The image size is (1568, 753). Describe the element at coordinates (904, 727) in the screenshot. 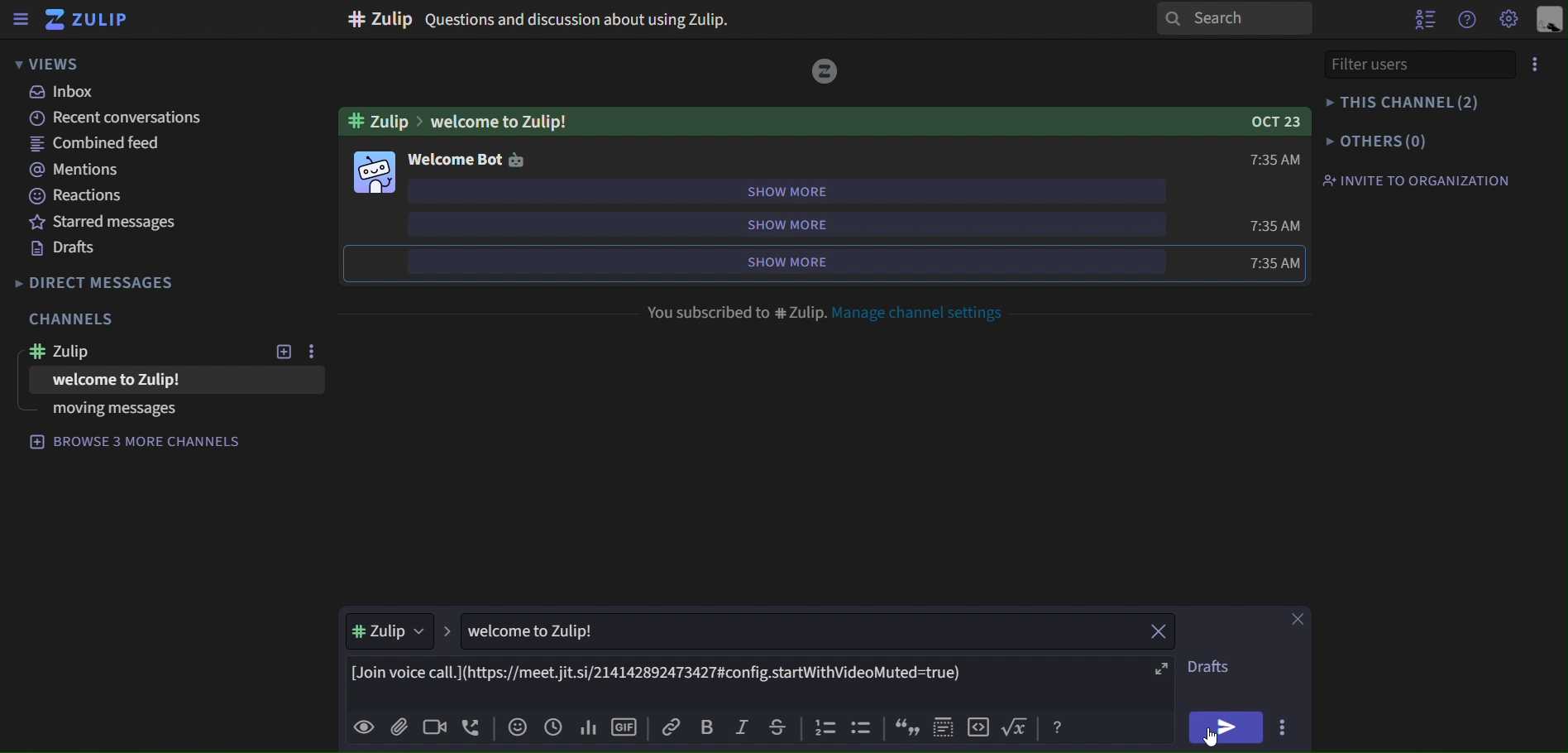

I see `icon` at that location.